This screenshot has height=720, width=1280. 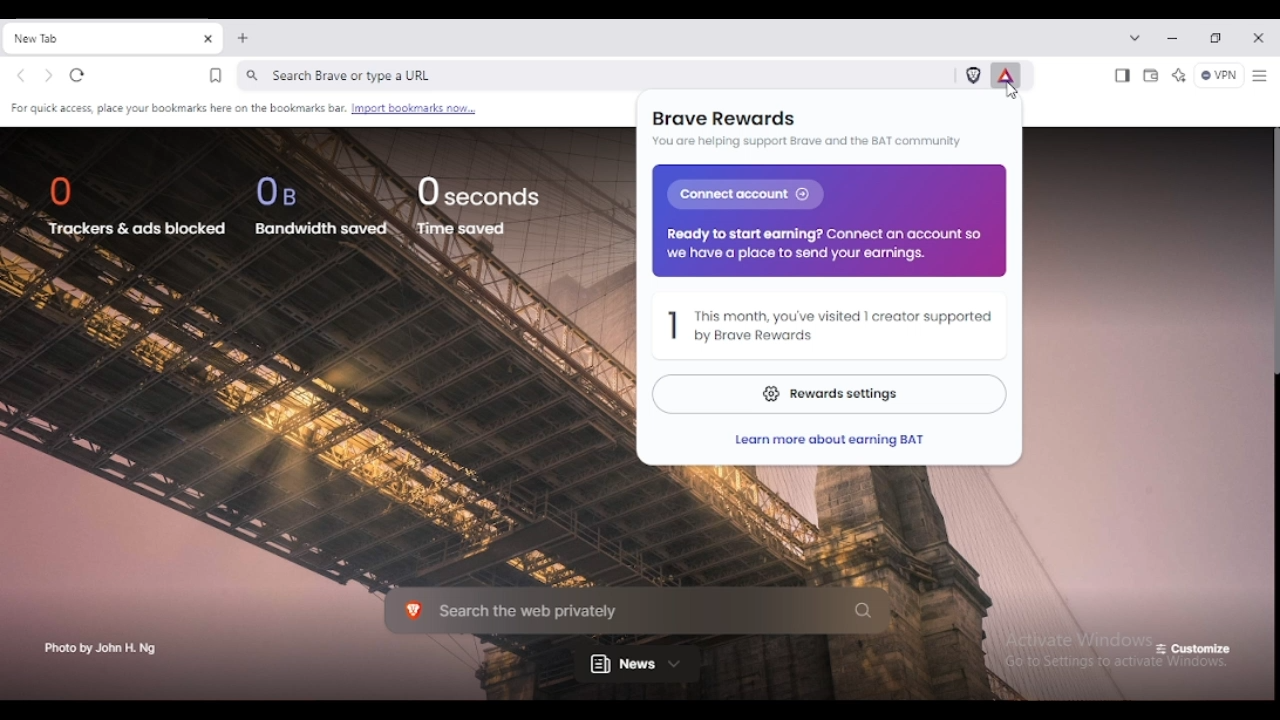 I want to click on 1, so click(x=675, y=326).